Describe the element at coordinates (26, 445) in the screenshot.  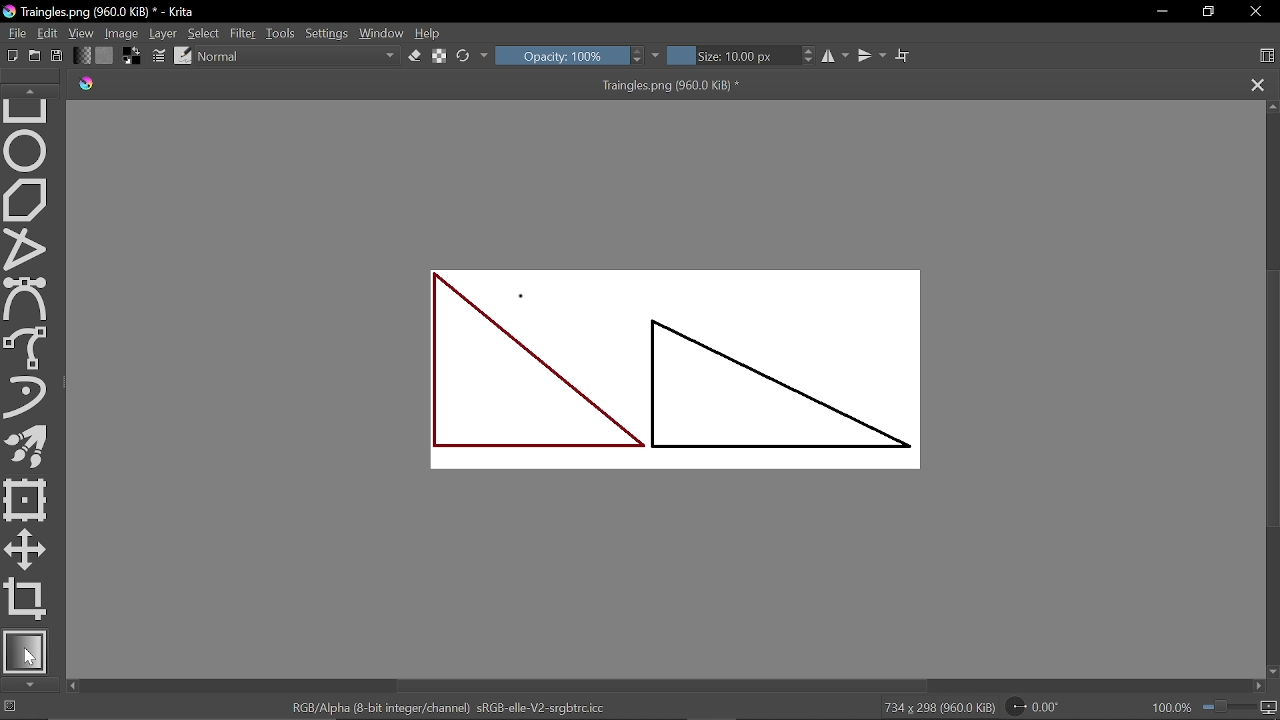
I see `Multibrush tool` at that location.